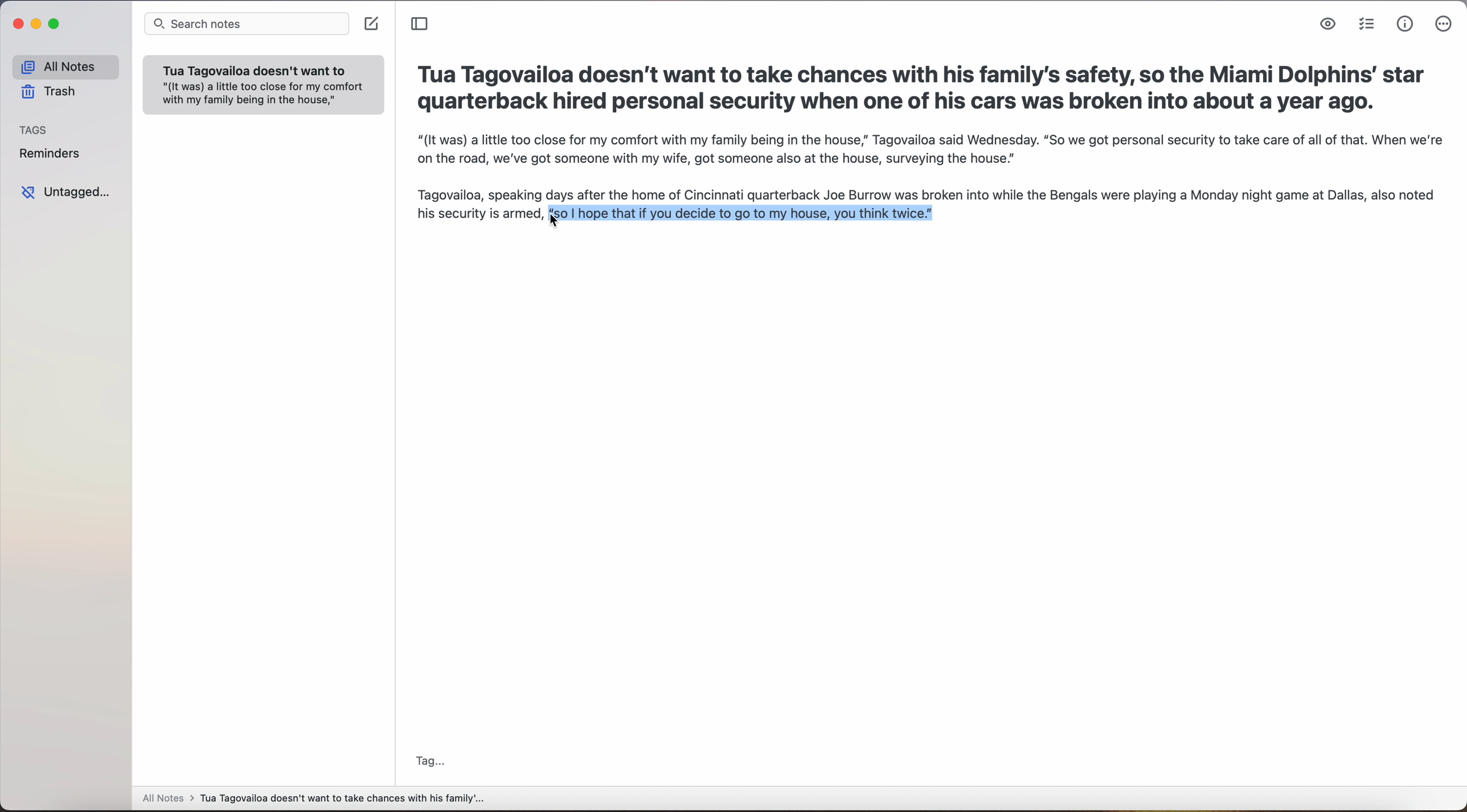 Image resolution: width=1467 pixels, height=812 pixels. I want to click on note: Tua Tagovailoa doesn't want to, so click(263, 85).